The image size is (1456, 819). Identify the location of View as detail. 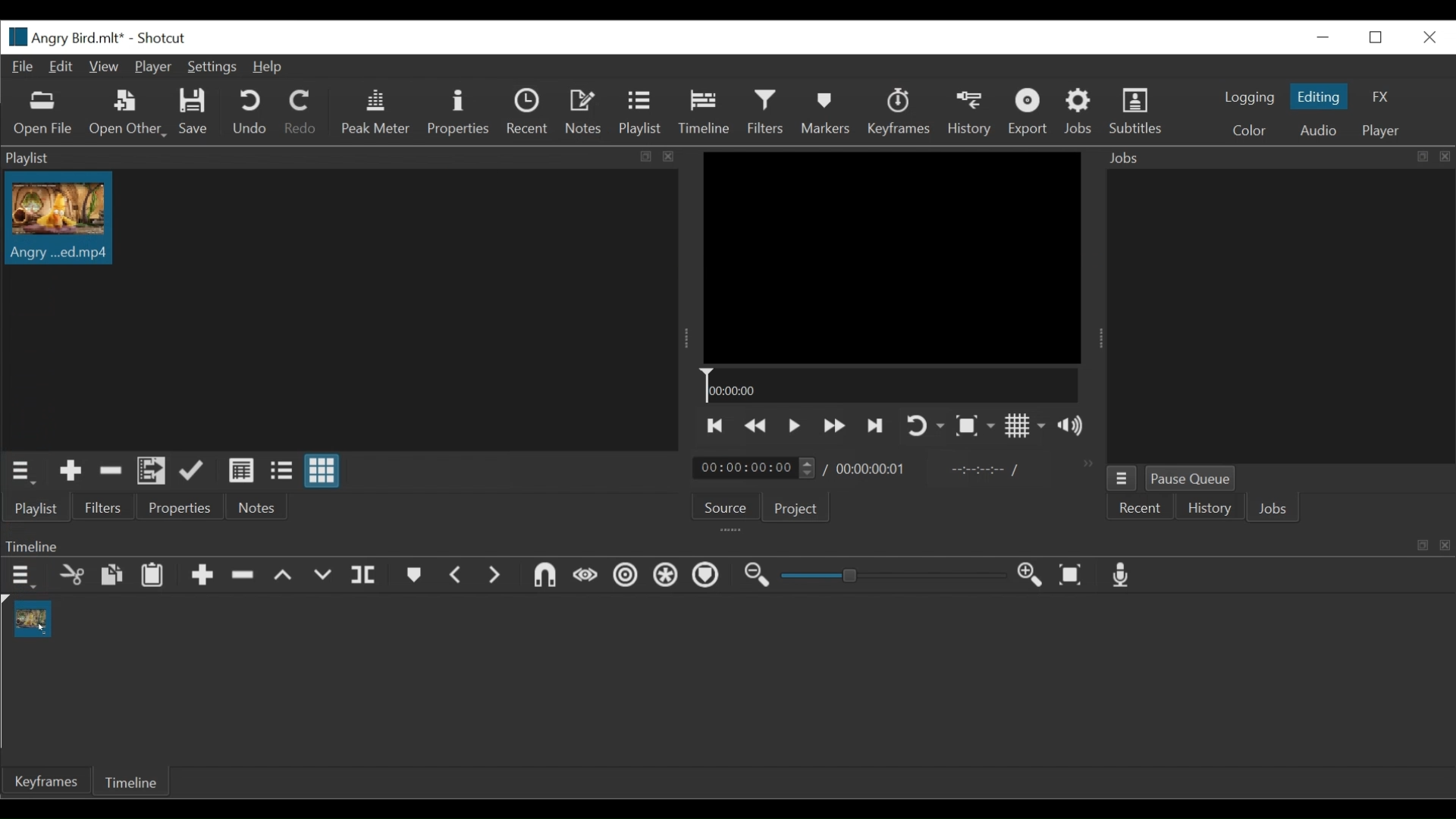
(240, 471).